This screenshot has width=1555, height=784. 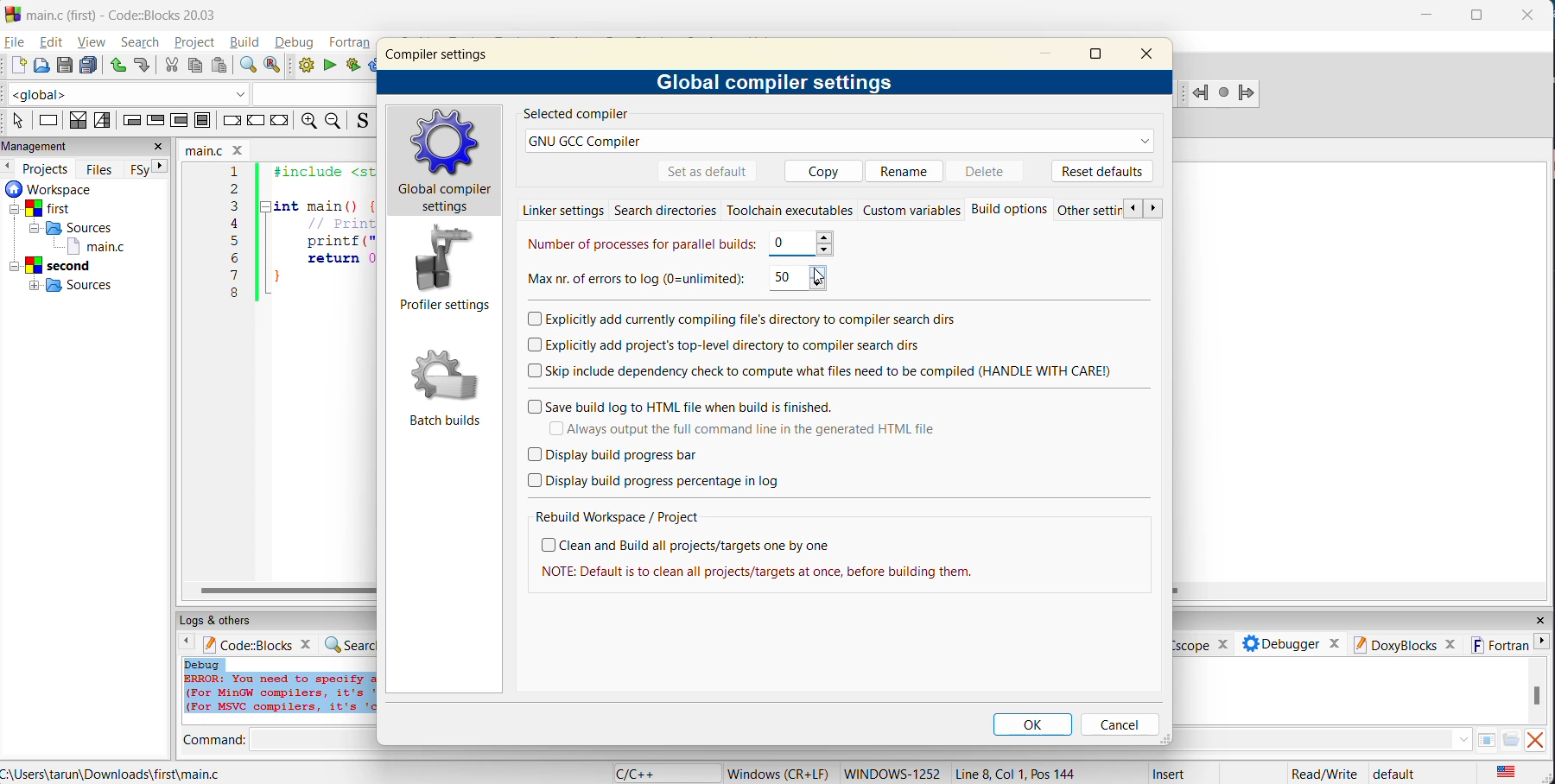 I want to click on cursor, so click(x=822, y=278).